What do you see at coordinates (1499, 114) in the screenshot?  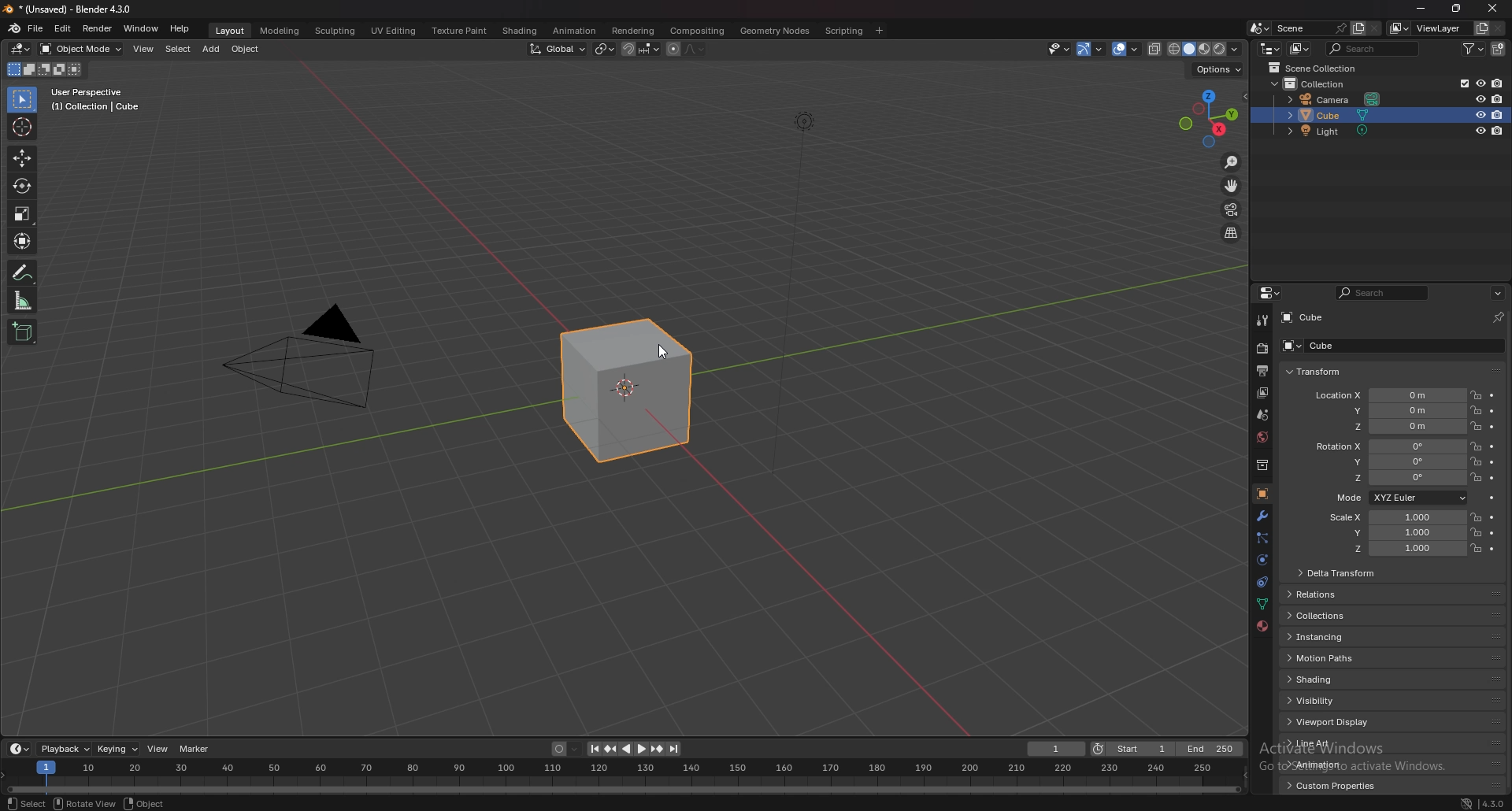 I see `disable in render` at bounding box center [1499, 114].